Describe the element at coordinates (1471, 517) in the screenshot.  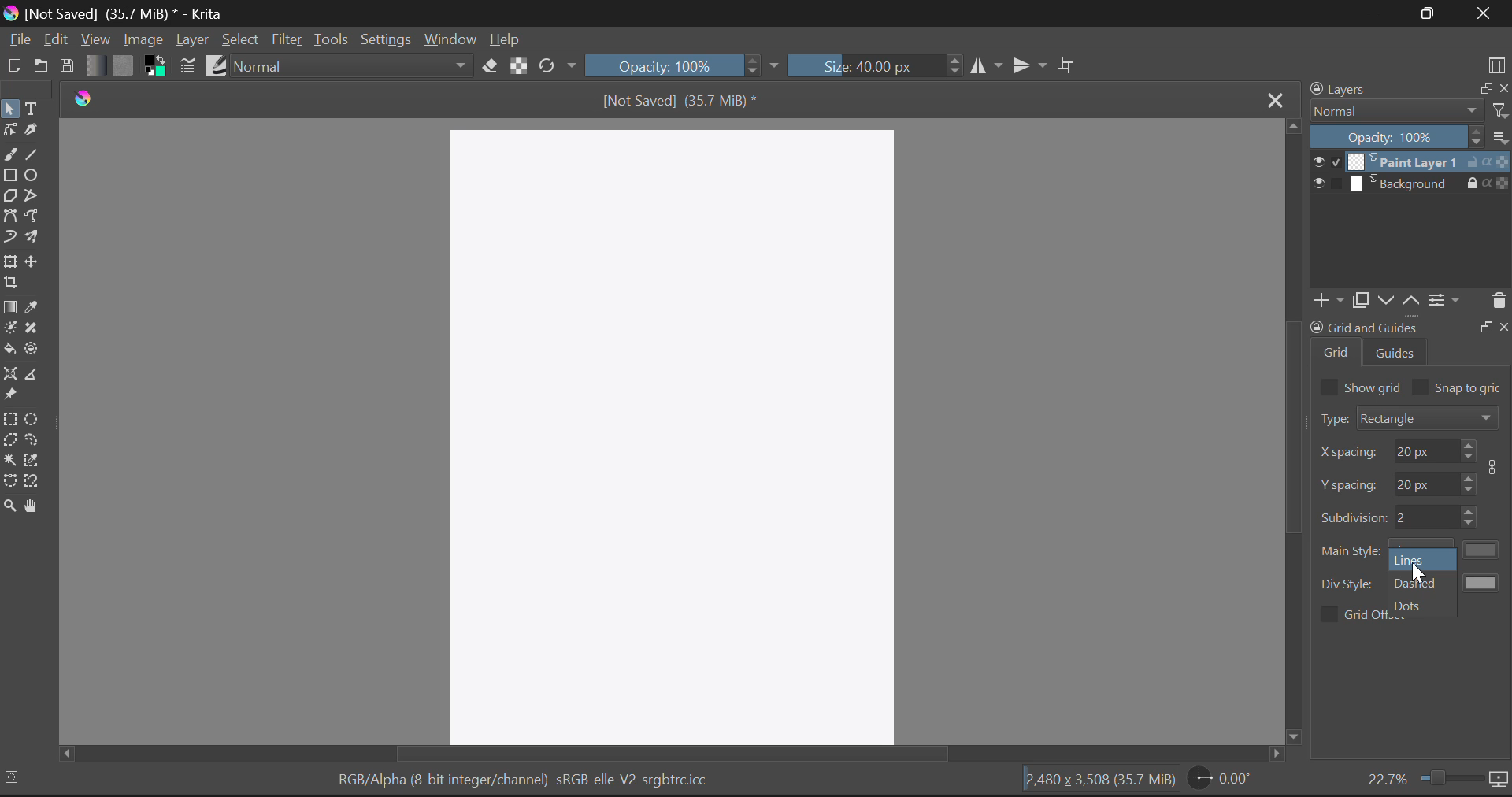
I see `Increase or decrease` at that location.